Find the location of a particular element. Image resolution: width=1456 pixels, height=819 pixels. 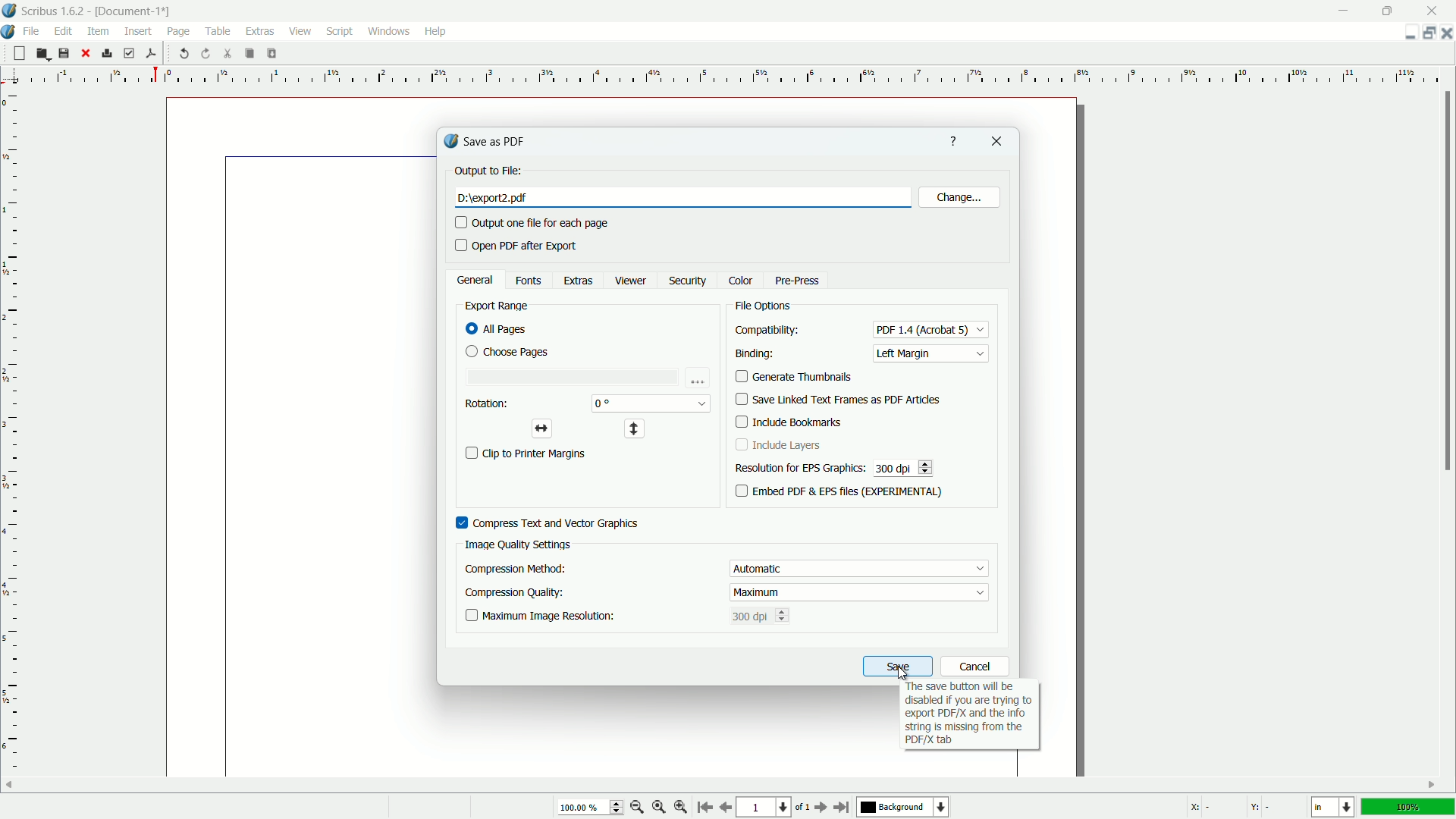

document name is located at coordinates (133, 10).